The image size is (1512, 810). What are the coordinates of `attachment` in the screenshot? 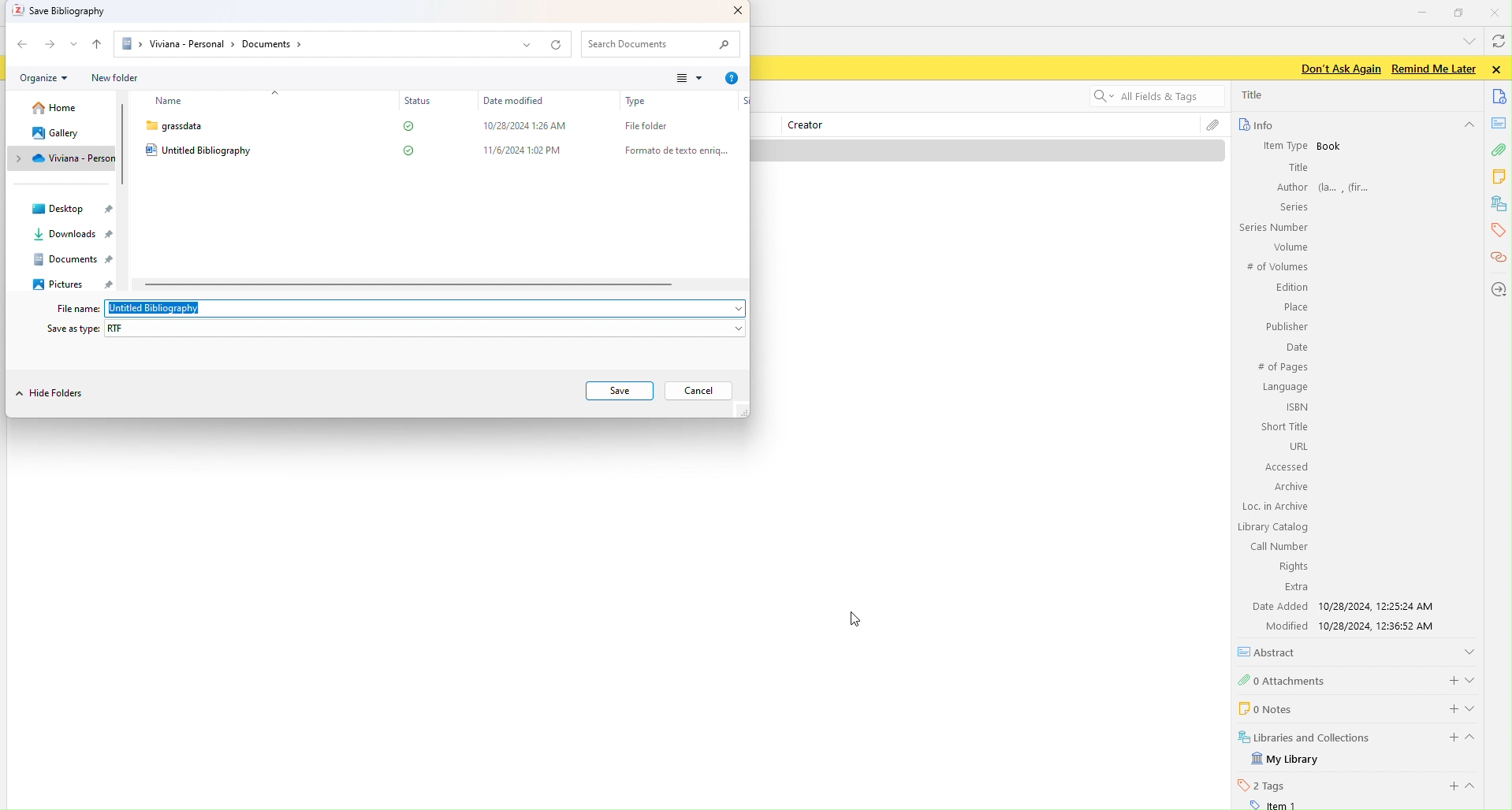 It's located at (1498, 152).